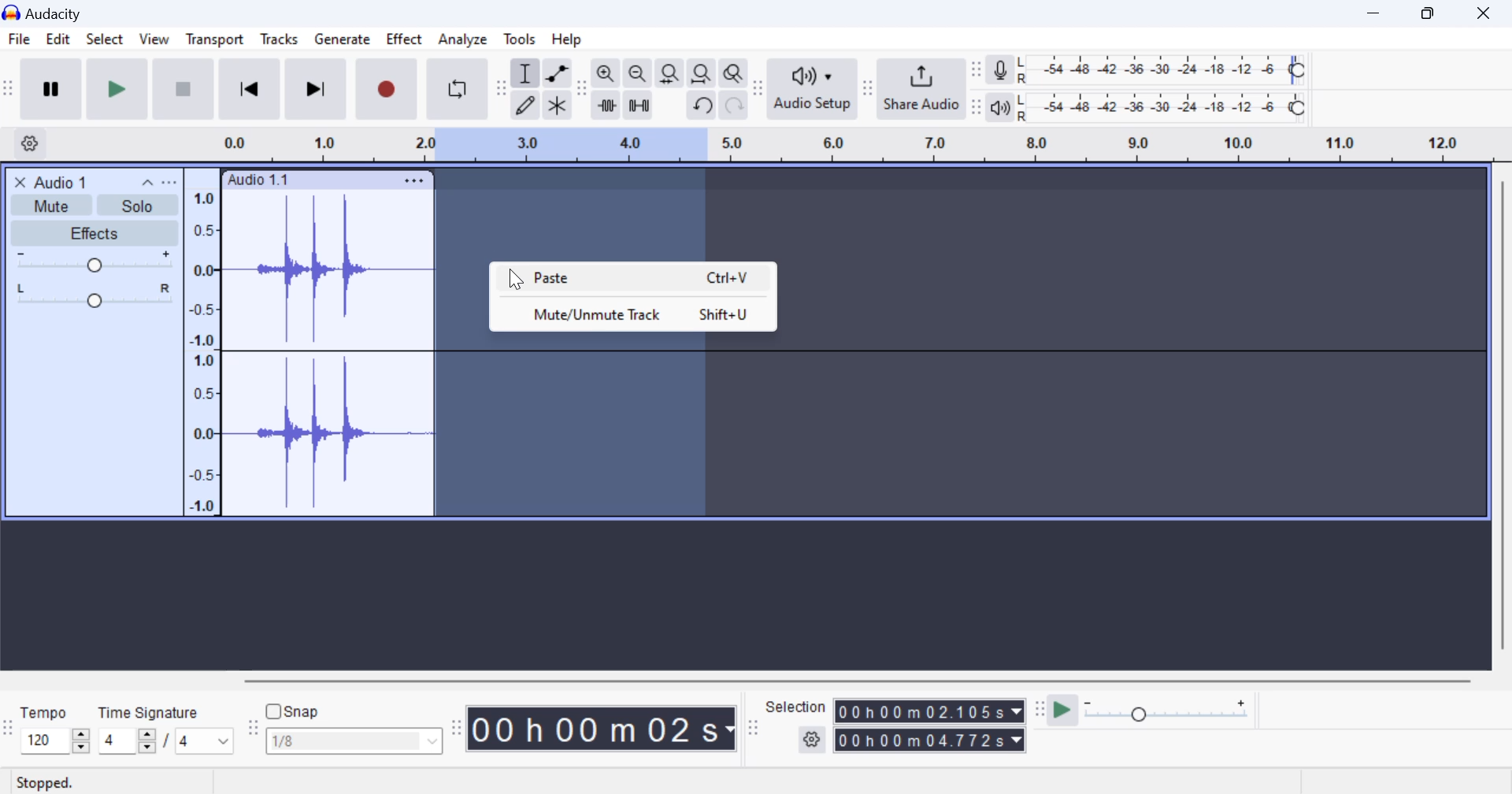  What do you see at coordinates (1176, 712) in the screenshot?
I see `Playback Speed` at bounding box center [1176, 712].